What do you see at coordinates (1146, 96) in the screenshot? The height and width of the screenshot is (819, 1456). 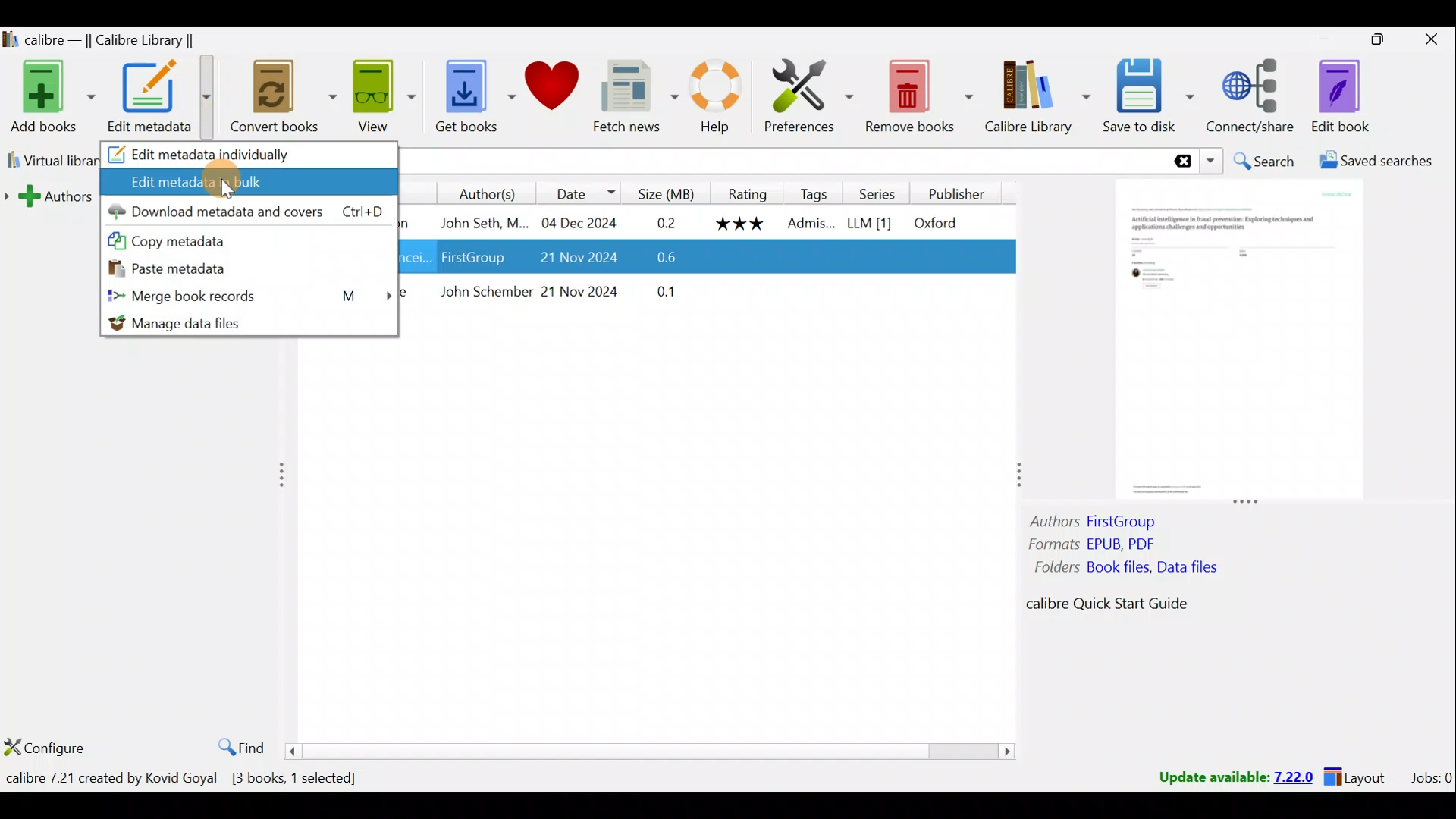 I see `Save to disk` at bounding box center [1146, 96].